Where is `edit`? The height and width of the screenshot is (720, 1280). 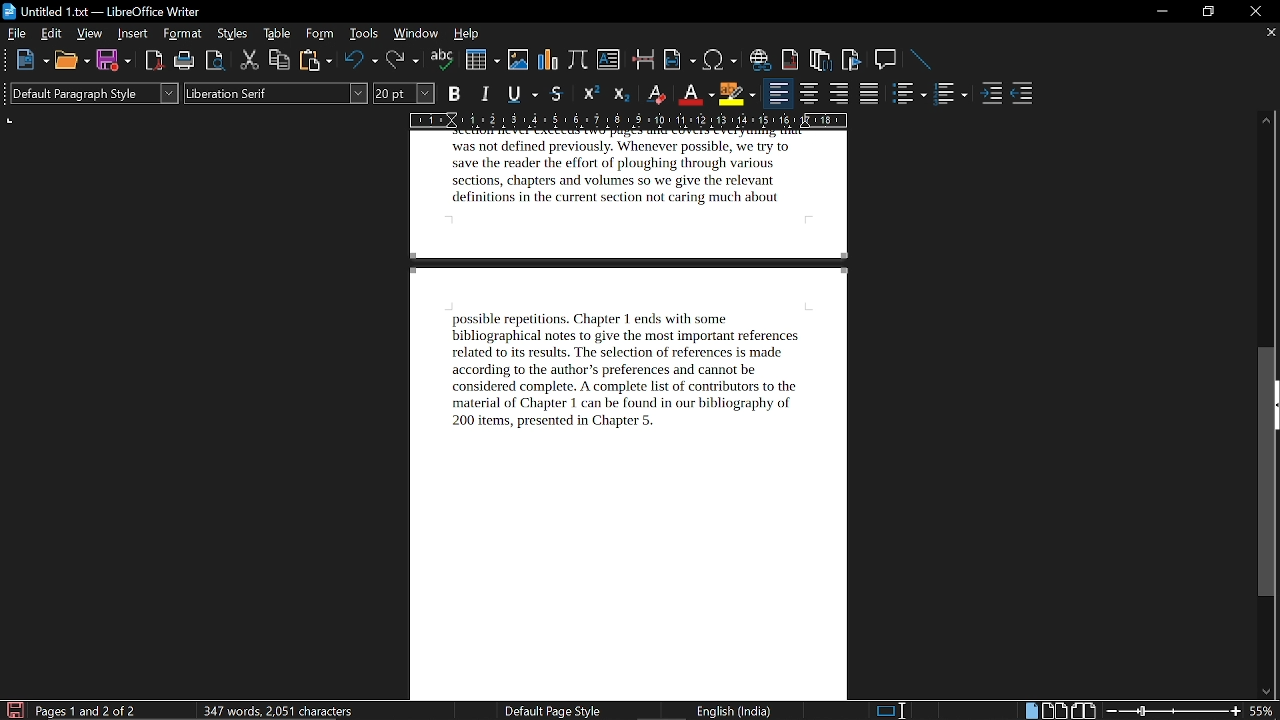 edit is located at coordinates (50, 33).